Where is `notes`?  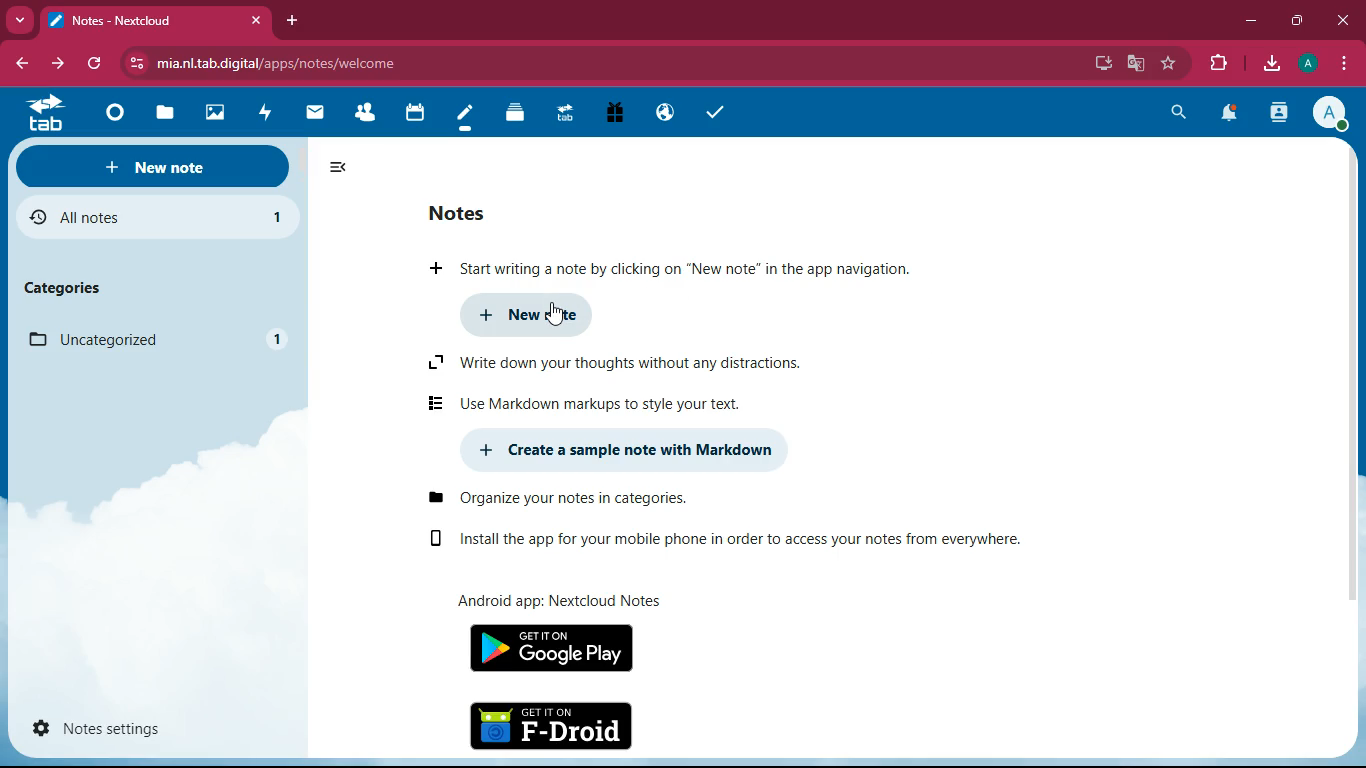
notes is located at coordinates (466, 114).